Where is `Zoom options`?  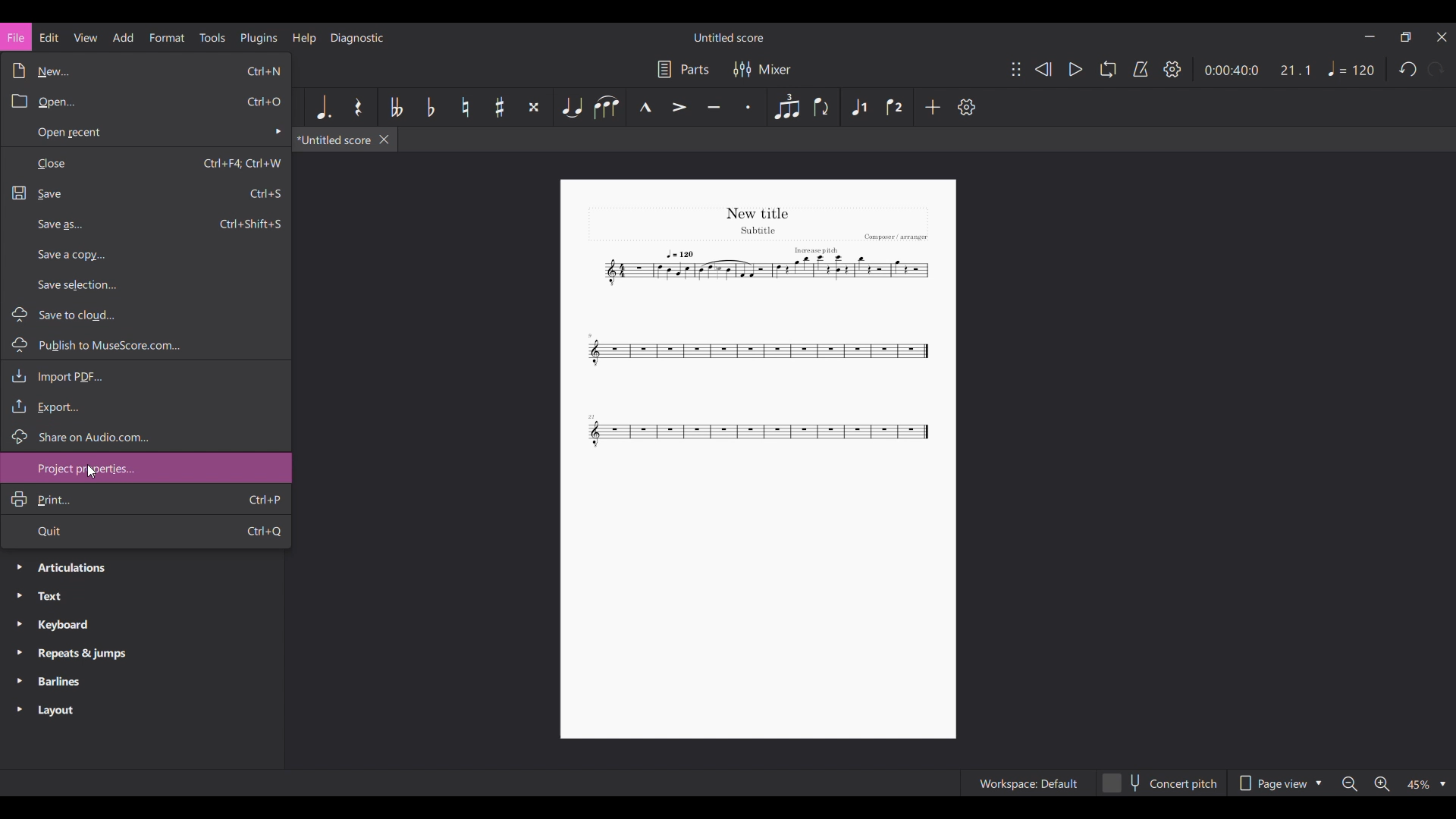
Zoom options is located at coordinates (1426, 784).